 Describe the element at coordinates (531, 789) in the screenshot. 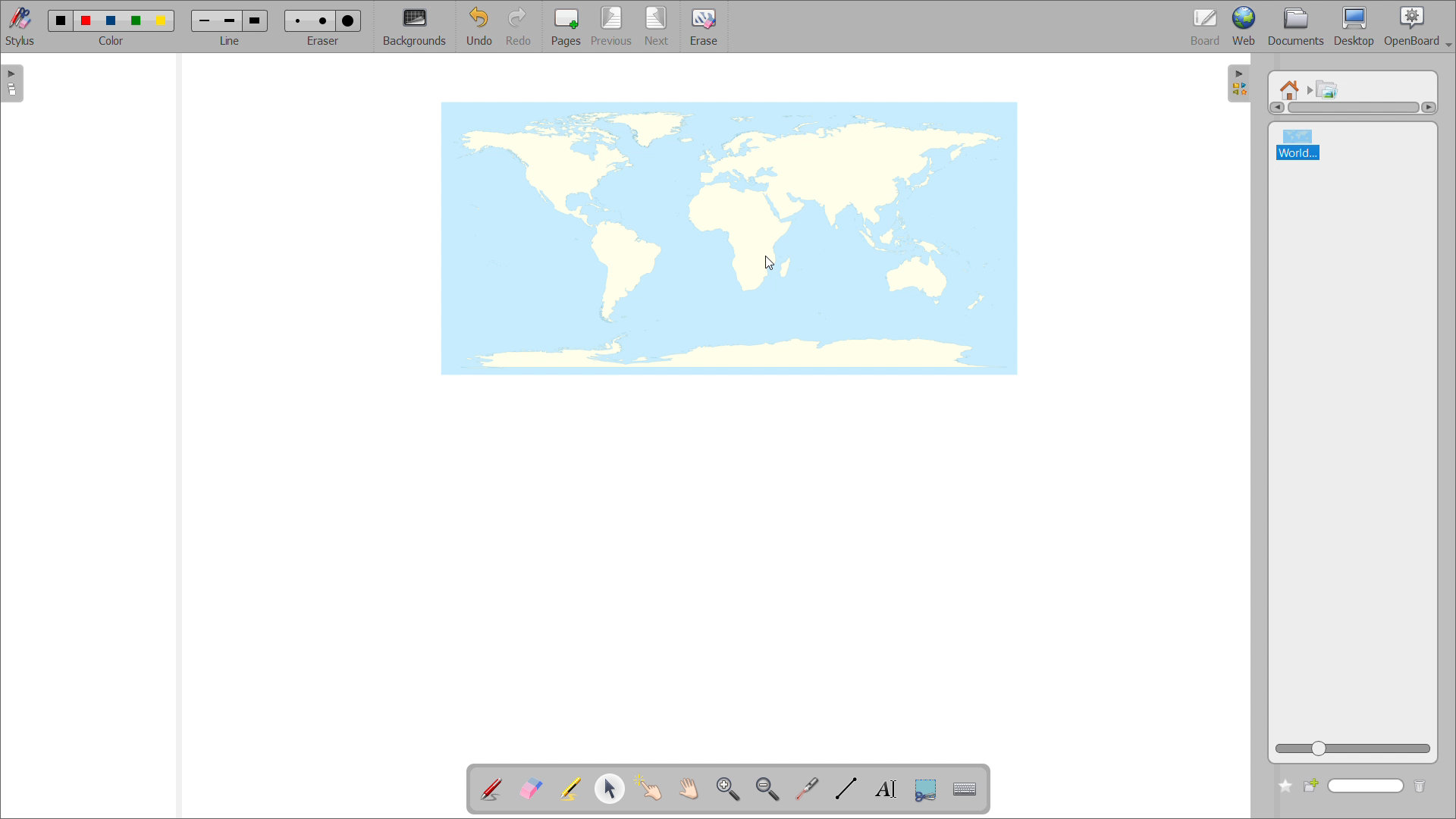

I see `erase annotation` at that location.